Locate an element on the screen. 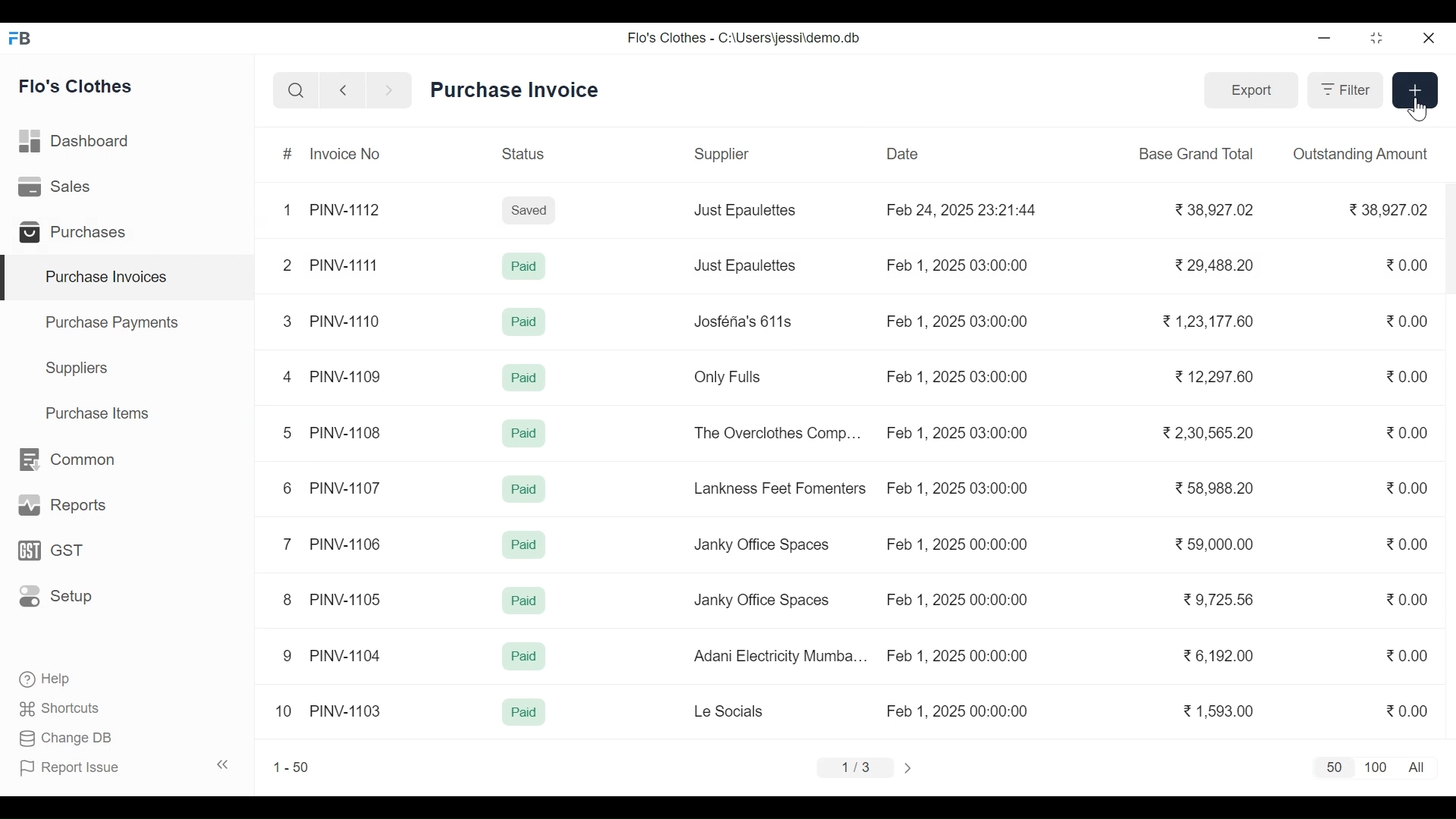  1/3 is located at coordinates (858, 767).